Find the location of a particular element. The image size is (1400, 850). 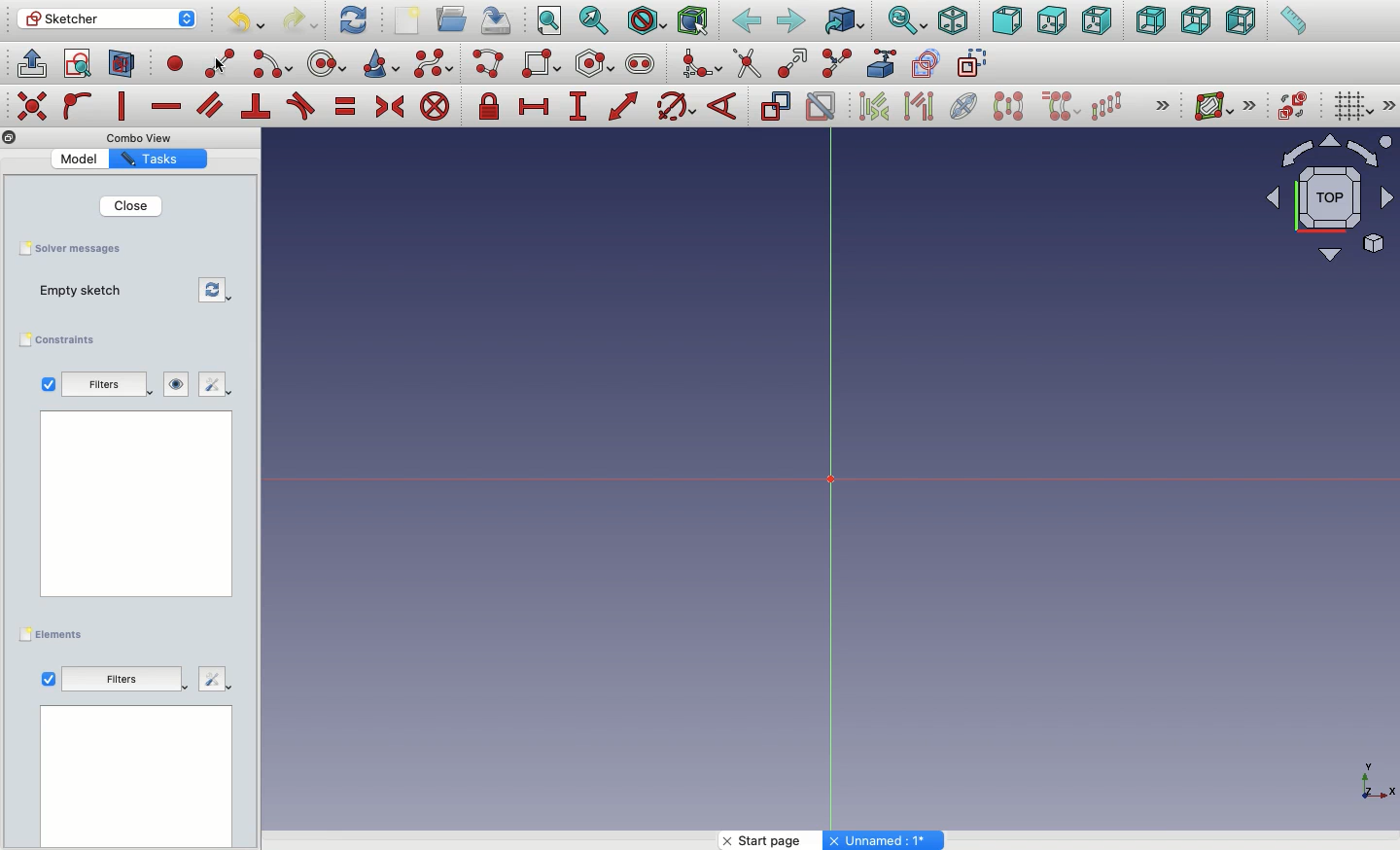

Right is located at coordinates (1098, 22).